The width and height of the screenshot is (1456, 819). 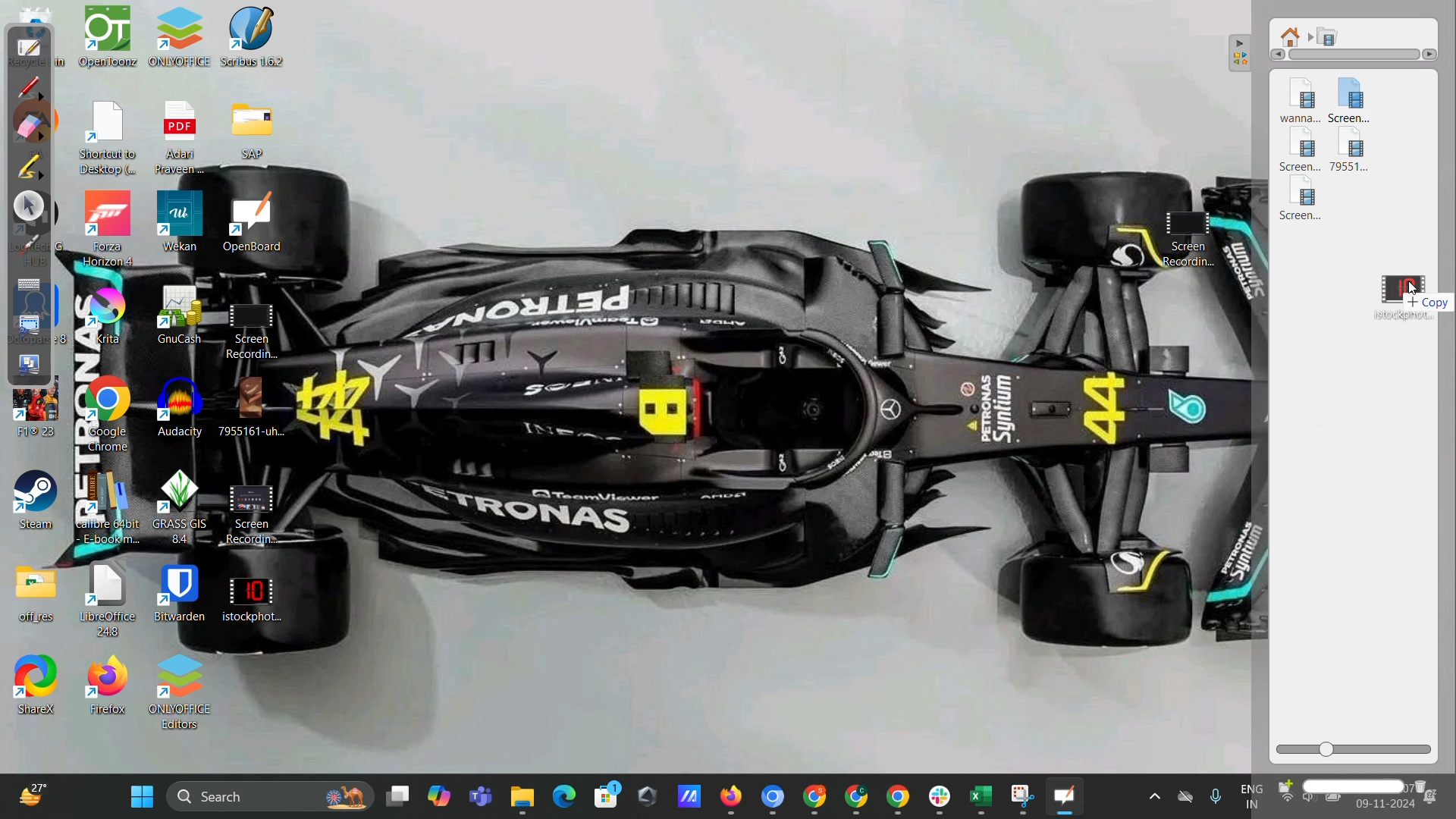 What do you see at coordinates (37, 597) in the screenshot?
I see `file on desktop` at bounding box center [37, 597].